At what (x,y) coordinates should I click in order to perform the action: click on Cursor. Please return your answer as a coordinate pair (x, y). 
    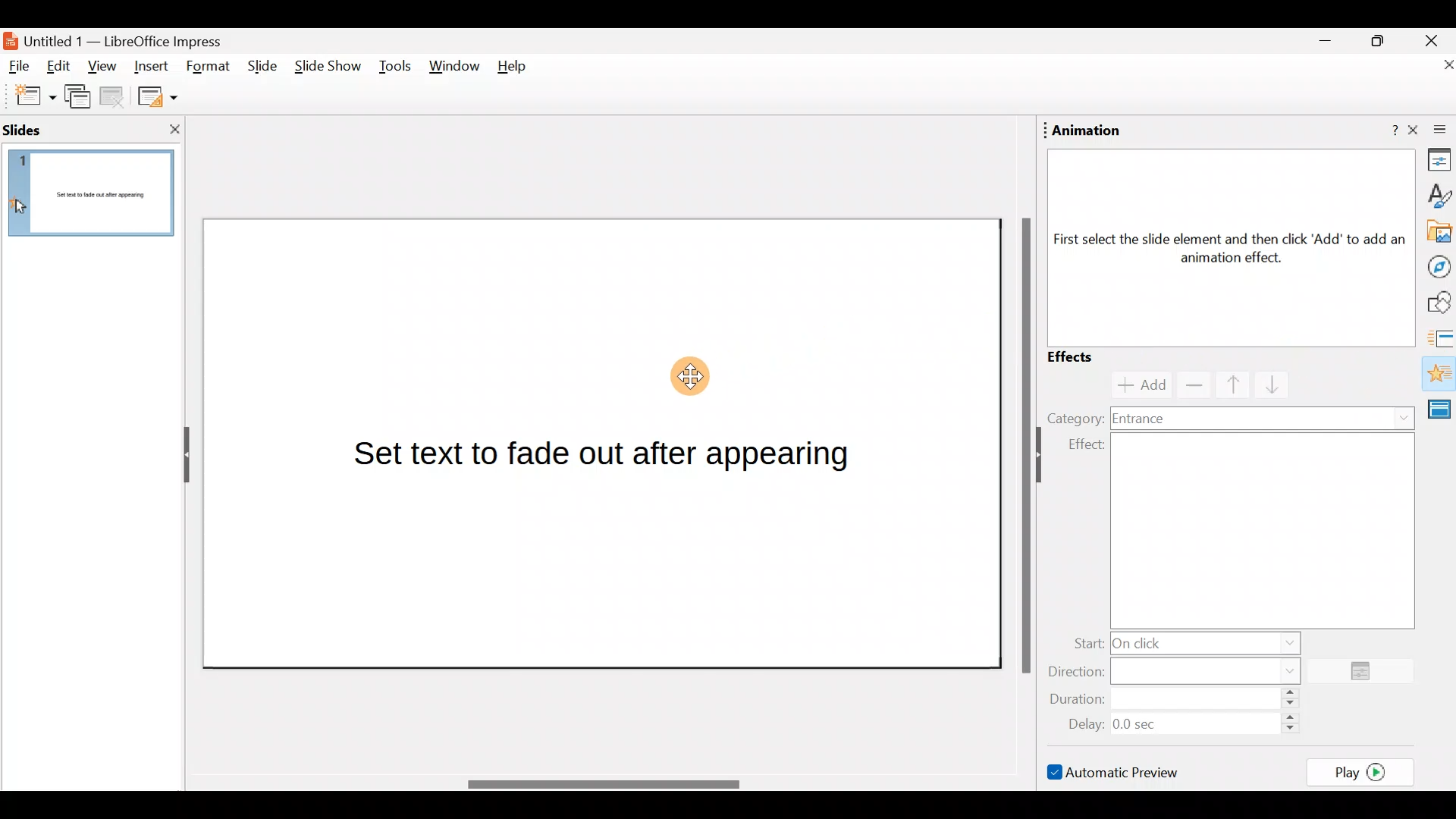
    Looking at the image, I should click on (692, 375).